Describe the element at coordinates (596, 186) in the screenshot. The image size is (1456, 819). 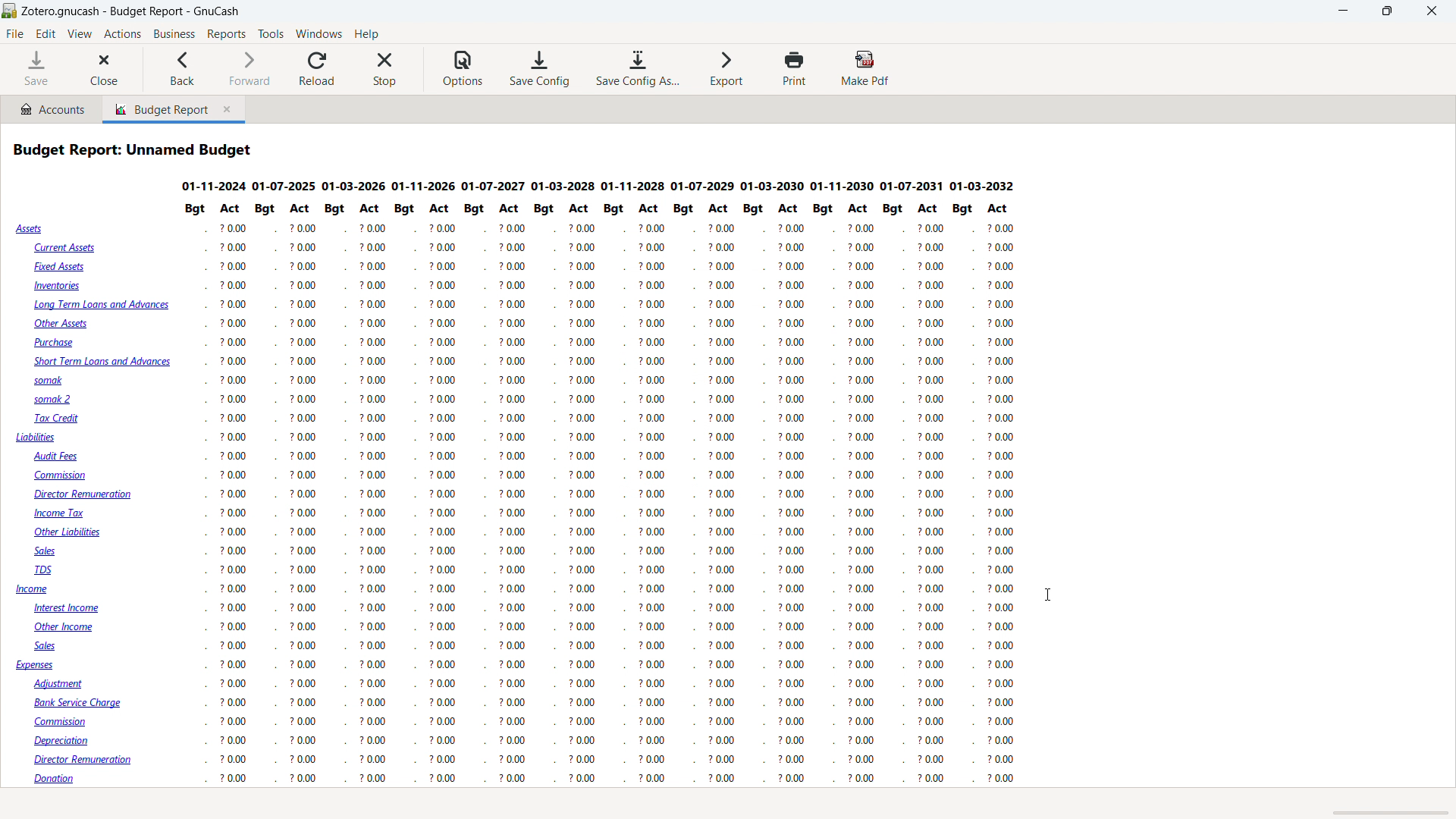
I see `period changed` at that location.